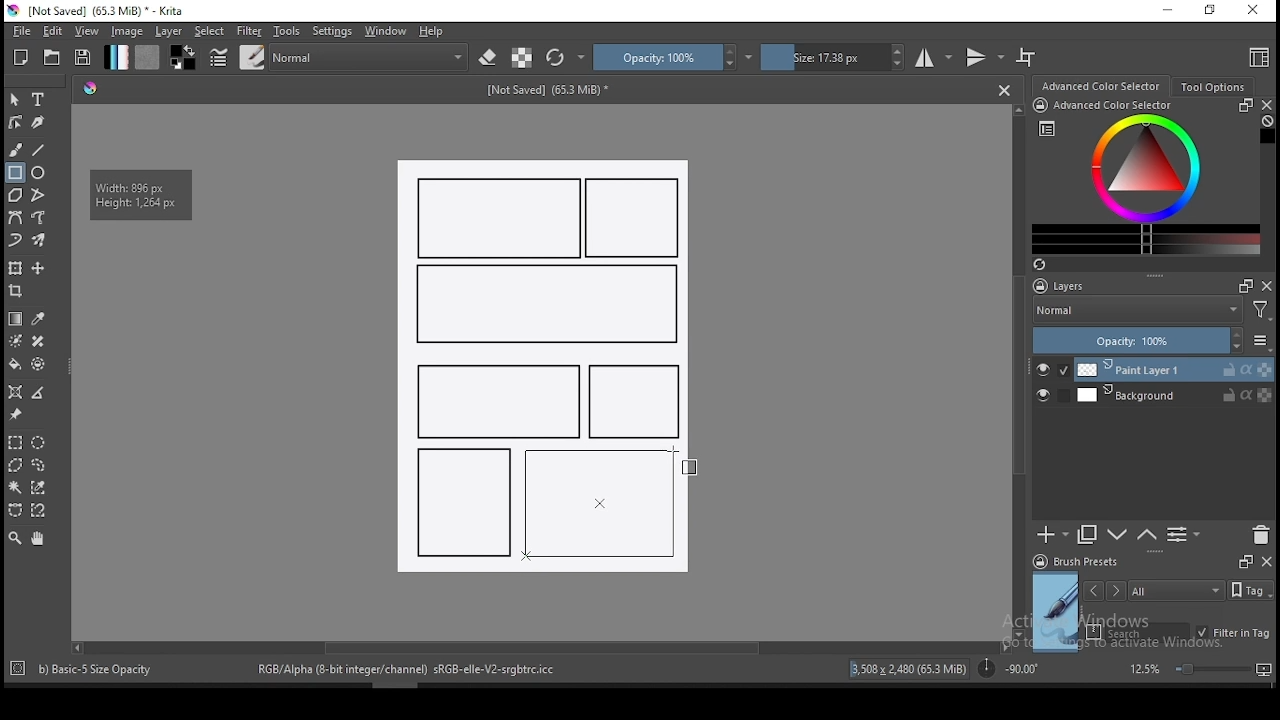  What do you see at coordinates (1245, 561) in the screenshot?
I see `Frames` at bounding box center [1245, 561].